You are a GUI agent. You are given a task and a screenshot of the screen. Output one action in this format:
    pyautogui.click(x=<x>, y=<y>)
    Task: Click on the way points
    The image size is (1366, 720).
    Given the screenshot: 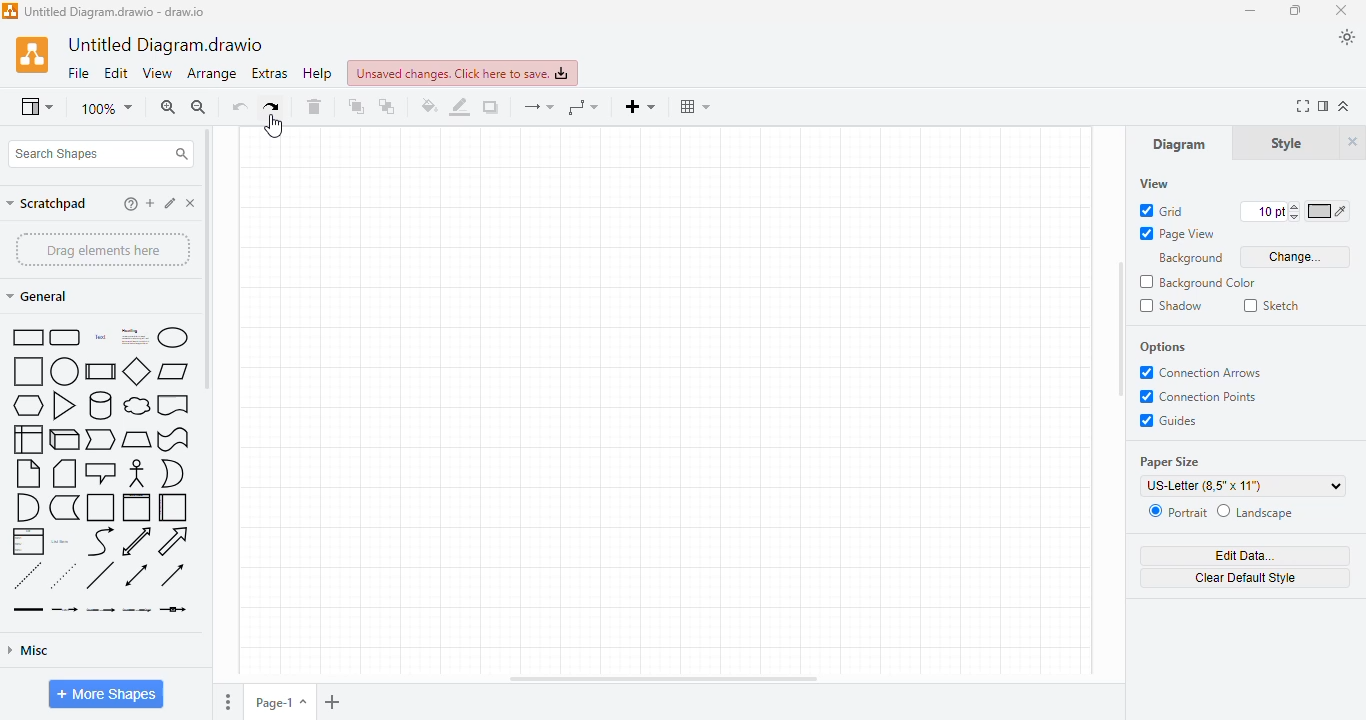 What is the action you would take?
    pyautogui.click(x=582, y=107)
    